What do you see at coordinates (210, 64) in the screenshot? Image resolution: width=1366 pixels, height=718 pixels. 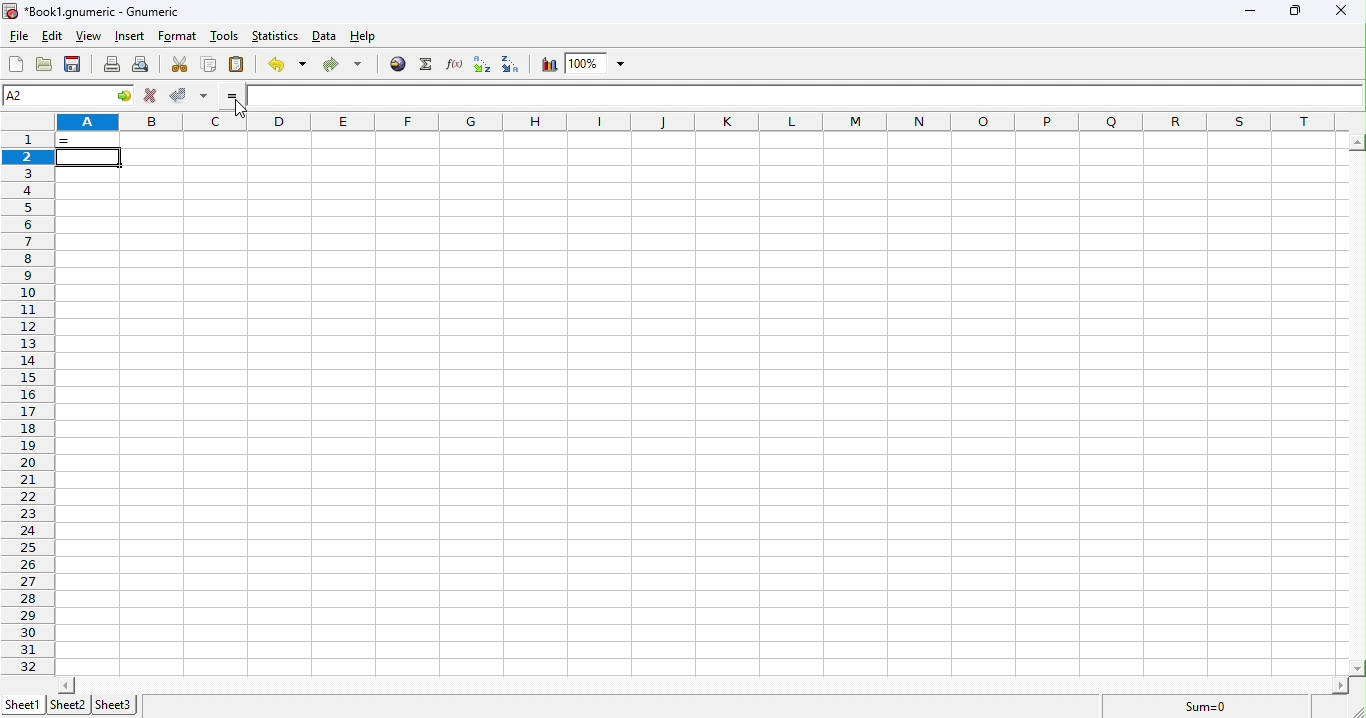 I see `copy` at bounding box center [210, 64].